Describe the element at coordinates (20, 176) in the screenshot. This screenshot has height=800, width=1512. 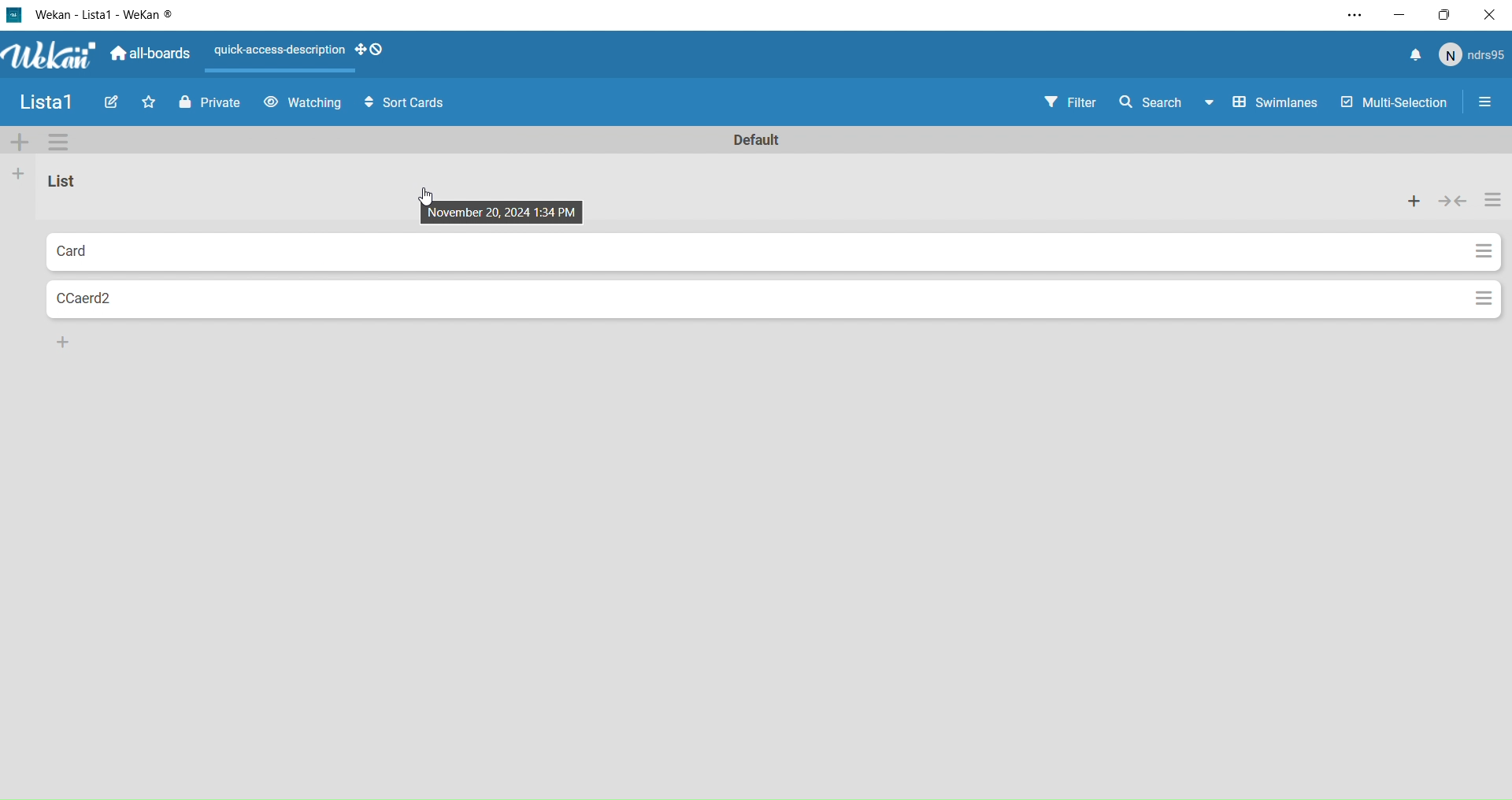
I see `Add` at that location.